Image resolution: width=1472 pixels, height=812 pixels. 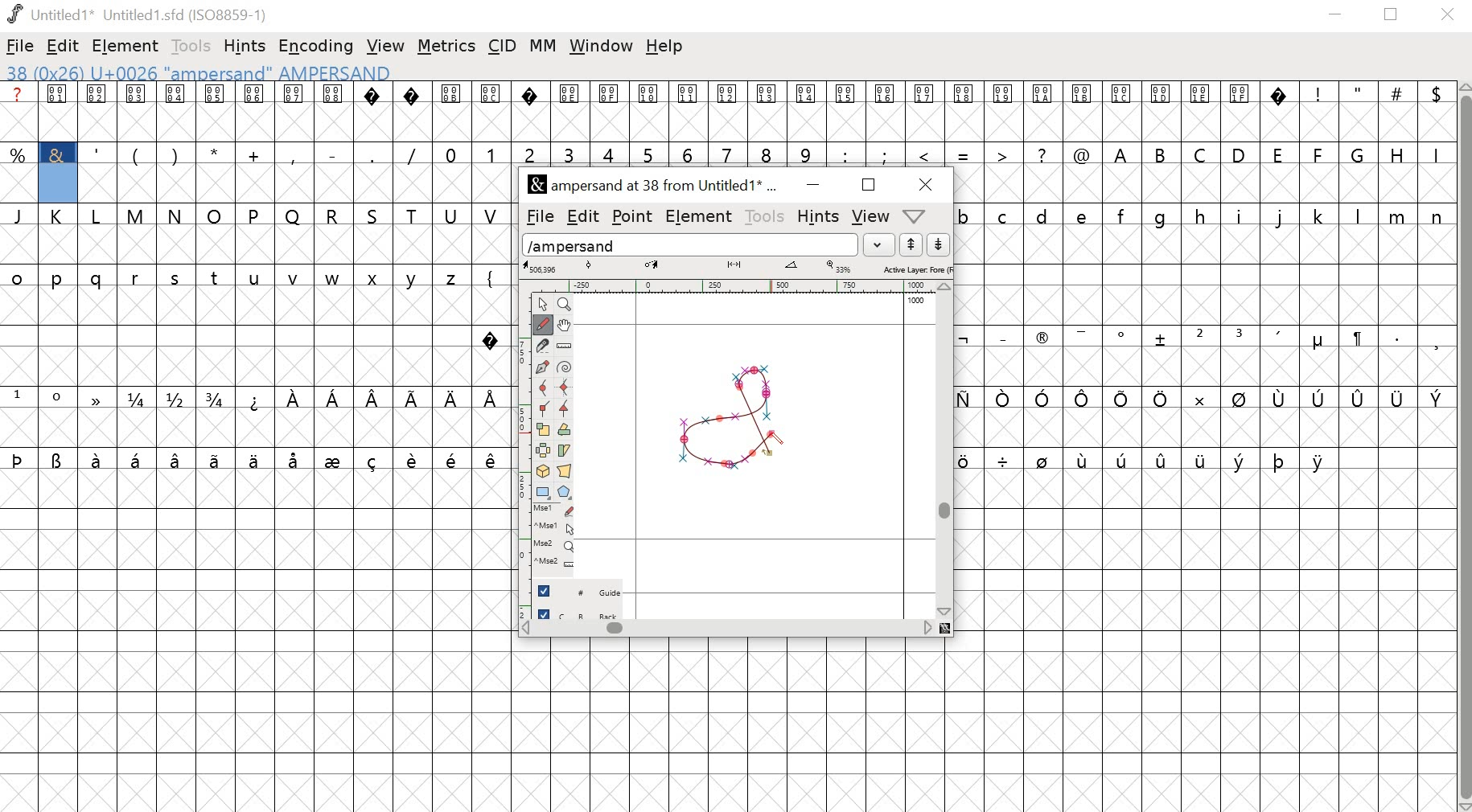 What do you see at coordinates (948, 449) in the screenshot?
I see `scrollbar` at bounding box center [948, 449].